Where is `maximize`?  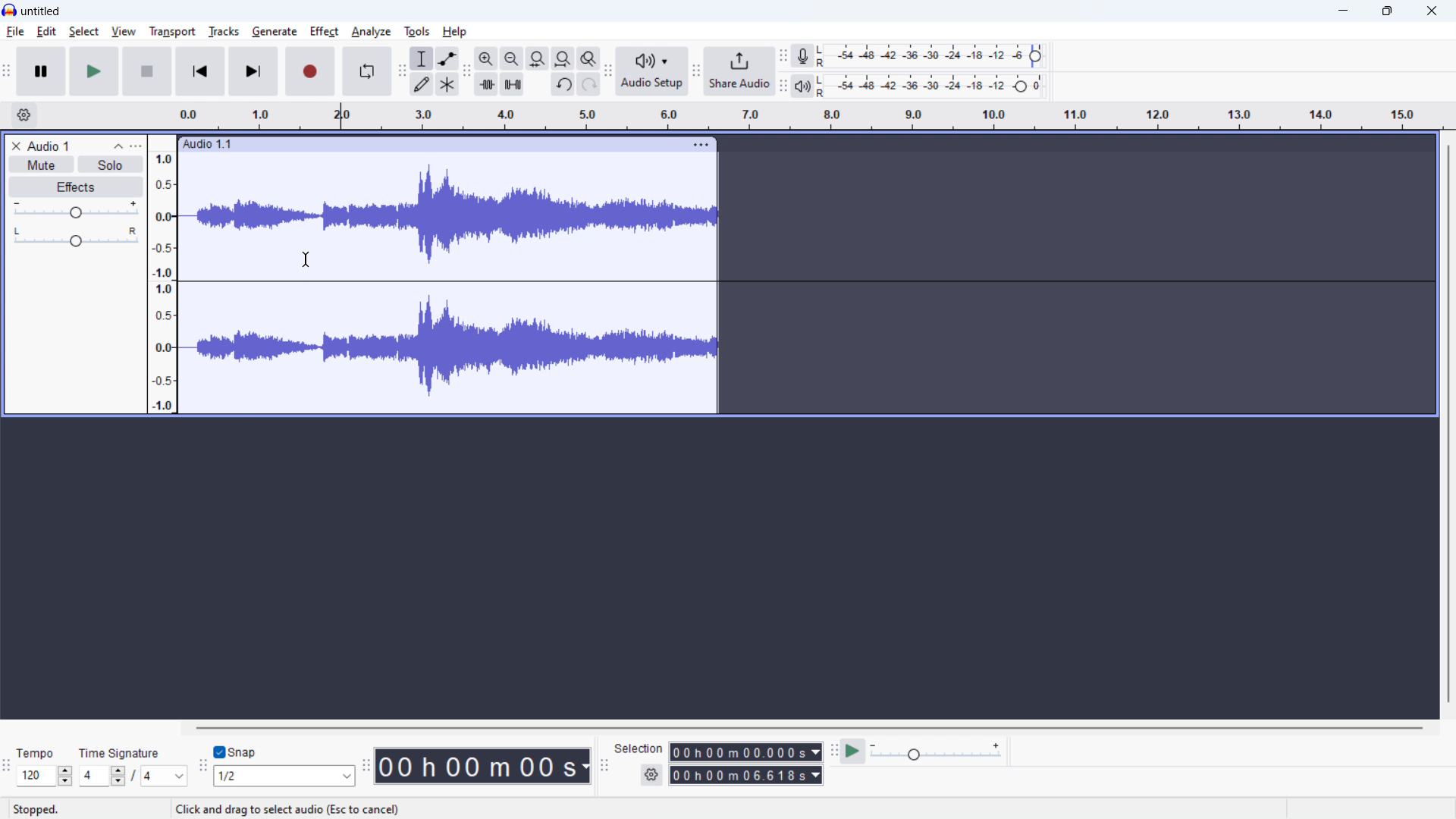 maximize is located at coordinates (1386, 11).